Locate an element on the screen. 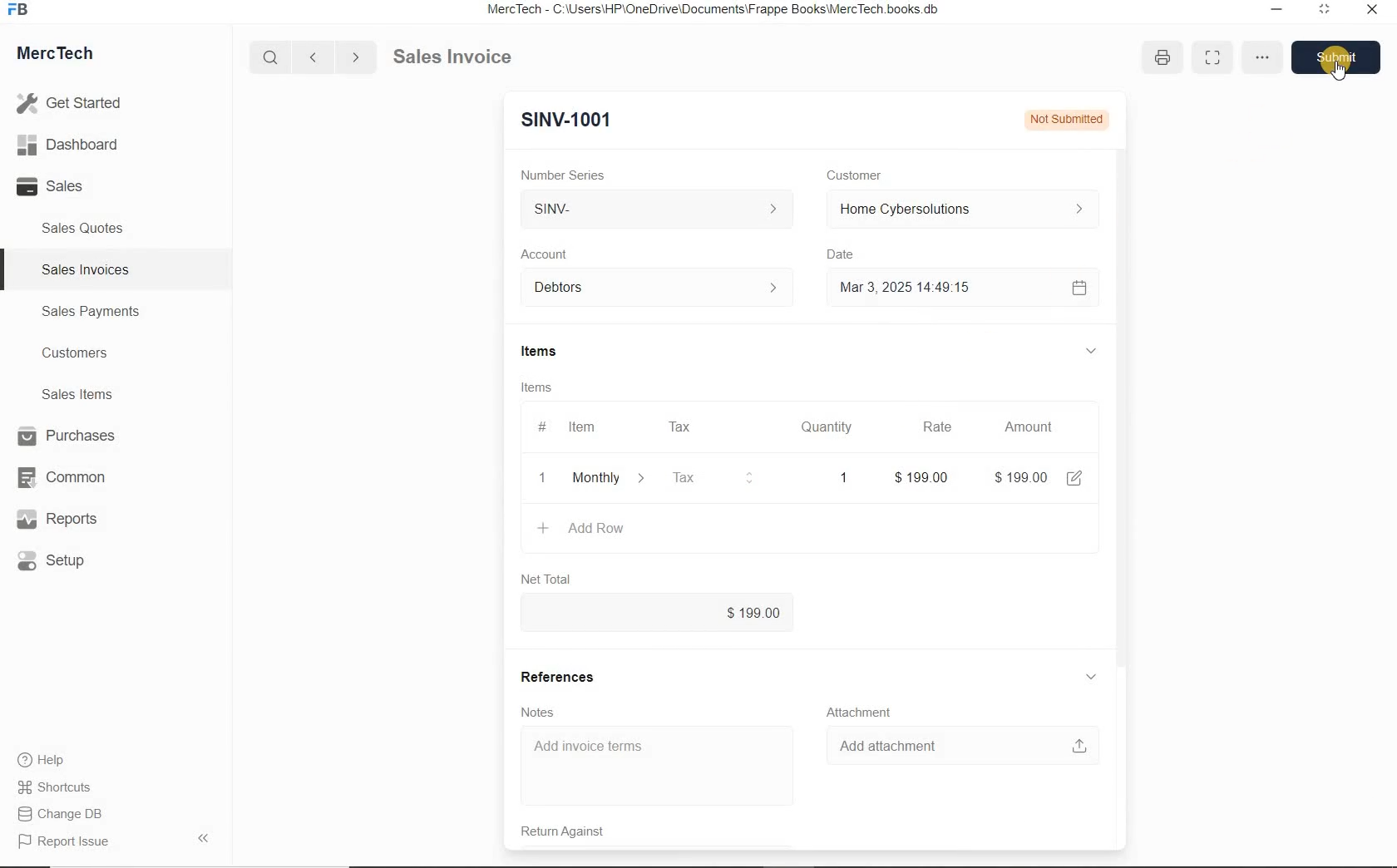  Item is located at coordinates (584, 427).